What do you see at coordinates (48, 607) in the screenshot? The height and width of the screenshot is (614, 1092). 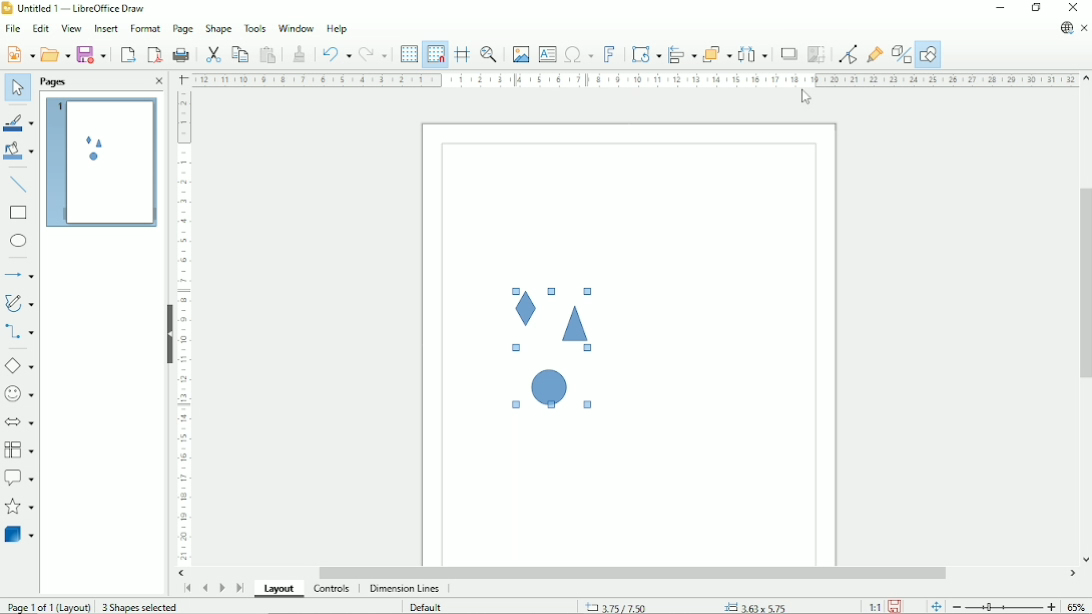 I see `Page 1 of 1 (Layout)` at bounding box center [48, 607].